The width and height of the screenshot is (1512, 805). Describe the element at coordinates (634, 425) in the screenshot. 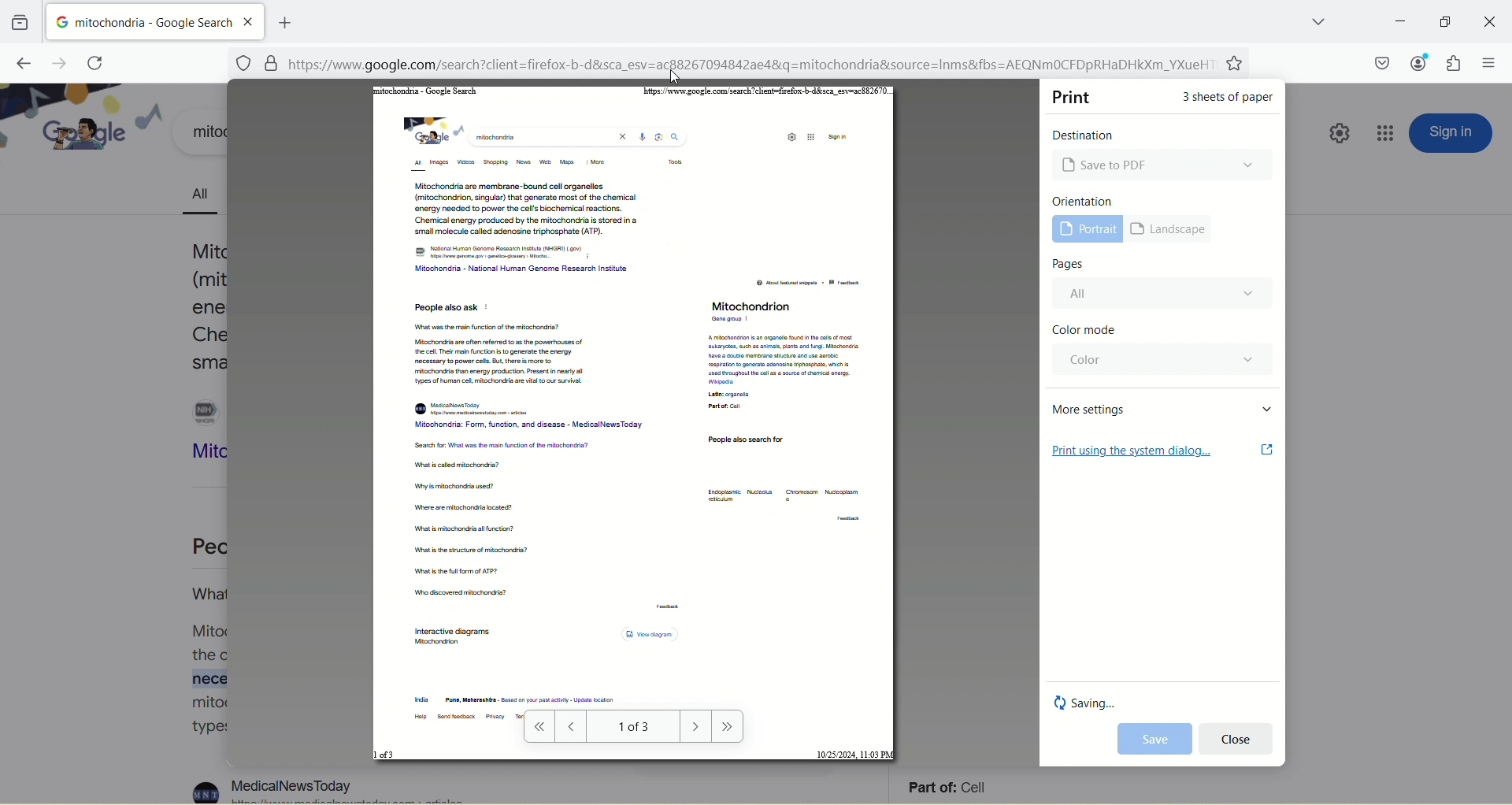

I see `PDF page view` at that location.